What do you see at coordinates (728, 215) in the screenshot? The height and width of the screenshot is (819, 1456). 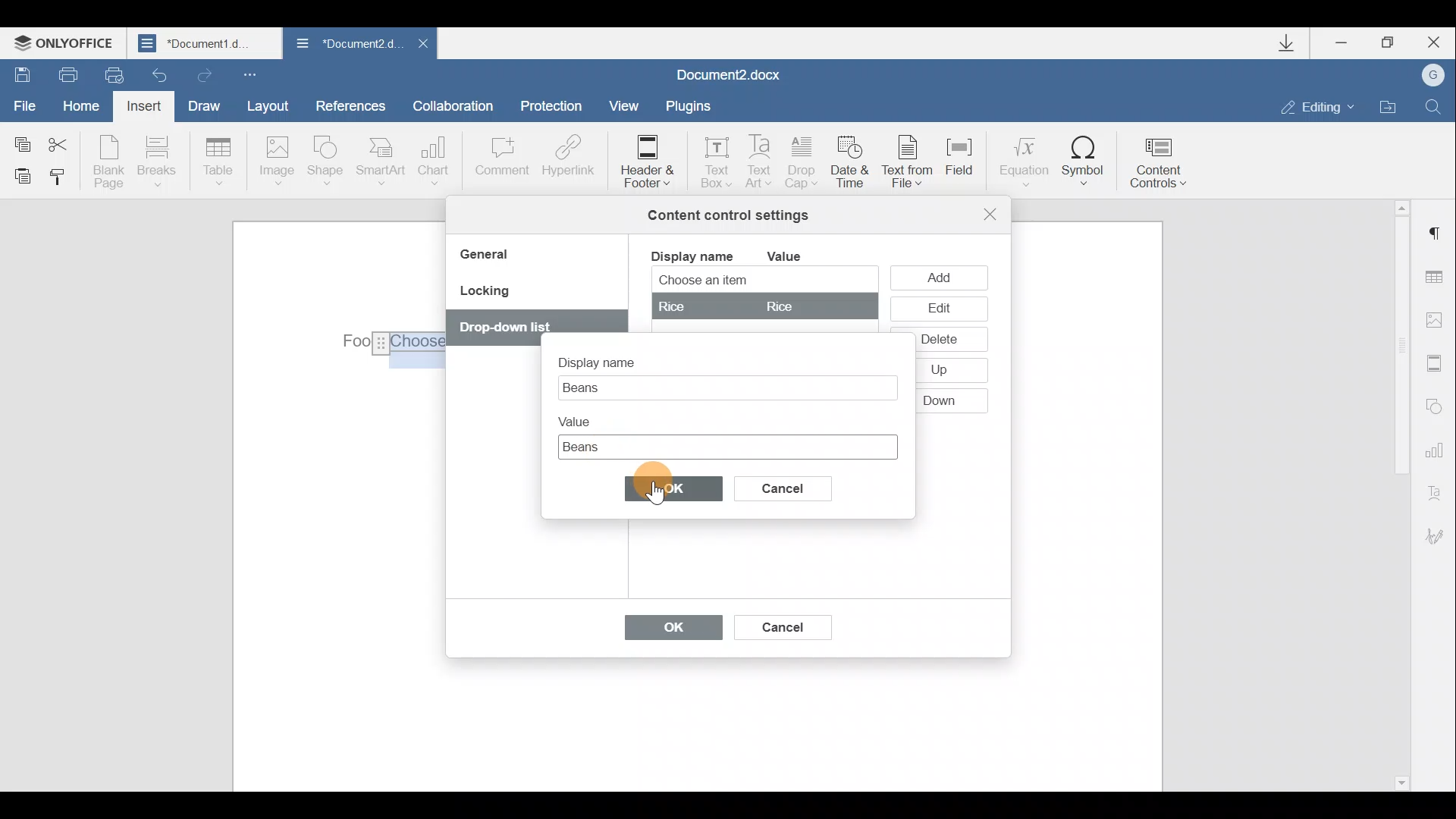 I see `Content control settings` at bounding box center [728, 215].